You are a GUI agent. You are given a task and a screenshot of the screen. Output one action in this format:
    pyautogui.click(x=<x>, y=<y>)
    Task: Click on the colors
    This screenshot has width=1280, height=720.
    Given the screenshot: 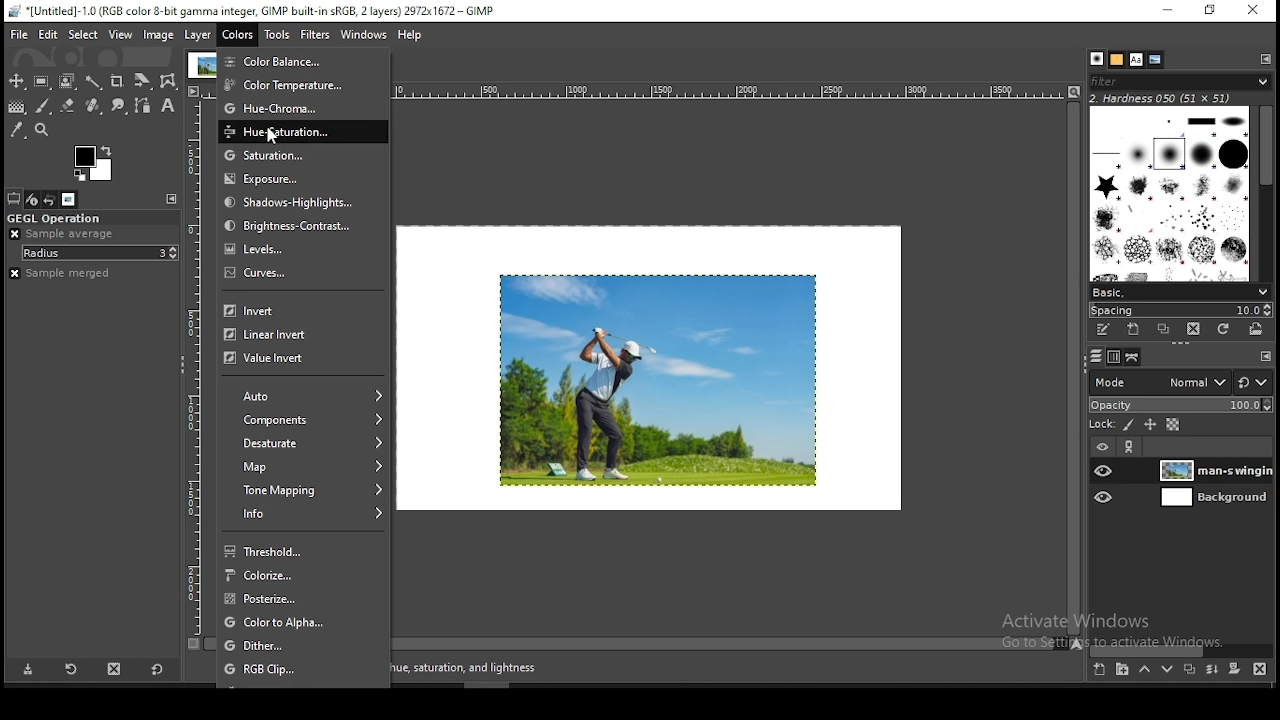 What is the action you would take?
    pyautogui.click(x=95, y=161)
    